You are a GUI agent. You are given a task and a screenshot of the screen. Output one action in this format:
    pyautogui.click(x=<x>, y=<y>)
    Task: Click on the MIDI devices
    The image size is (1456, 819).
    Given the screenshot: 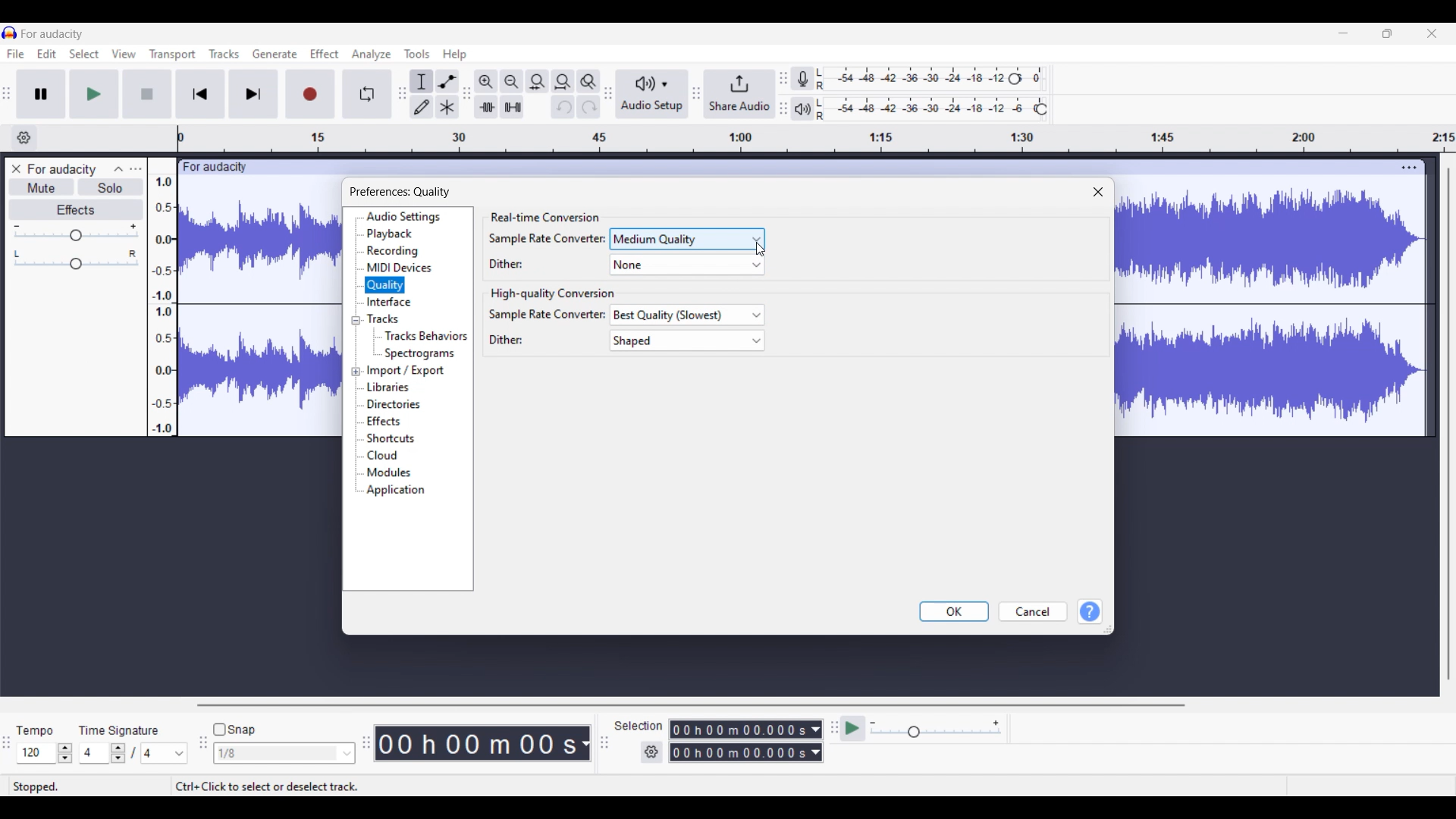 What is the action you would take?
    pyautogui.click(x=399, y=267)
    